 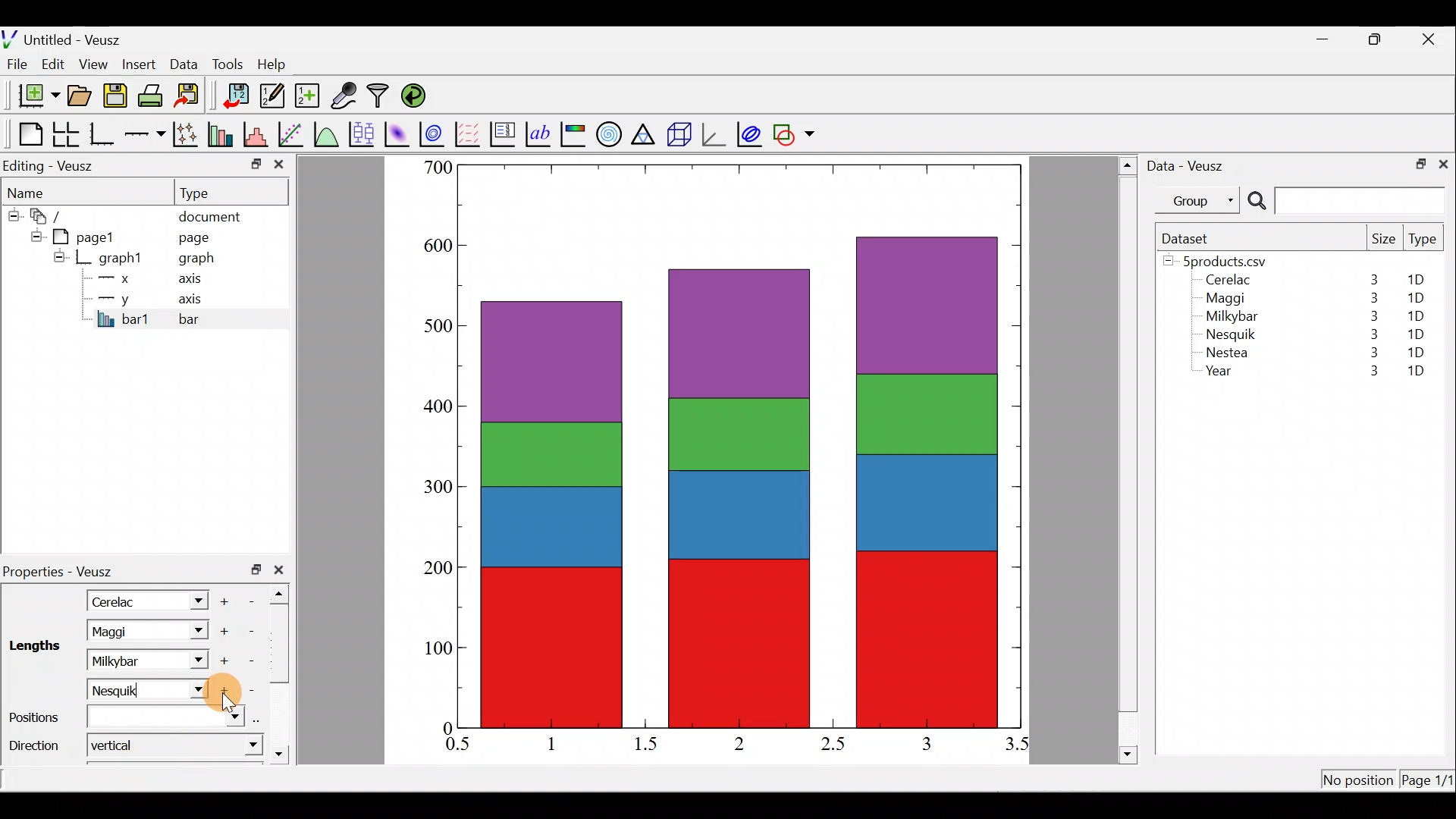 I want to click on Histogram of a dataset, so click(x=260, y=135).